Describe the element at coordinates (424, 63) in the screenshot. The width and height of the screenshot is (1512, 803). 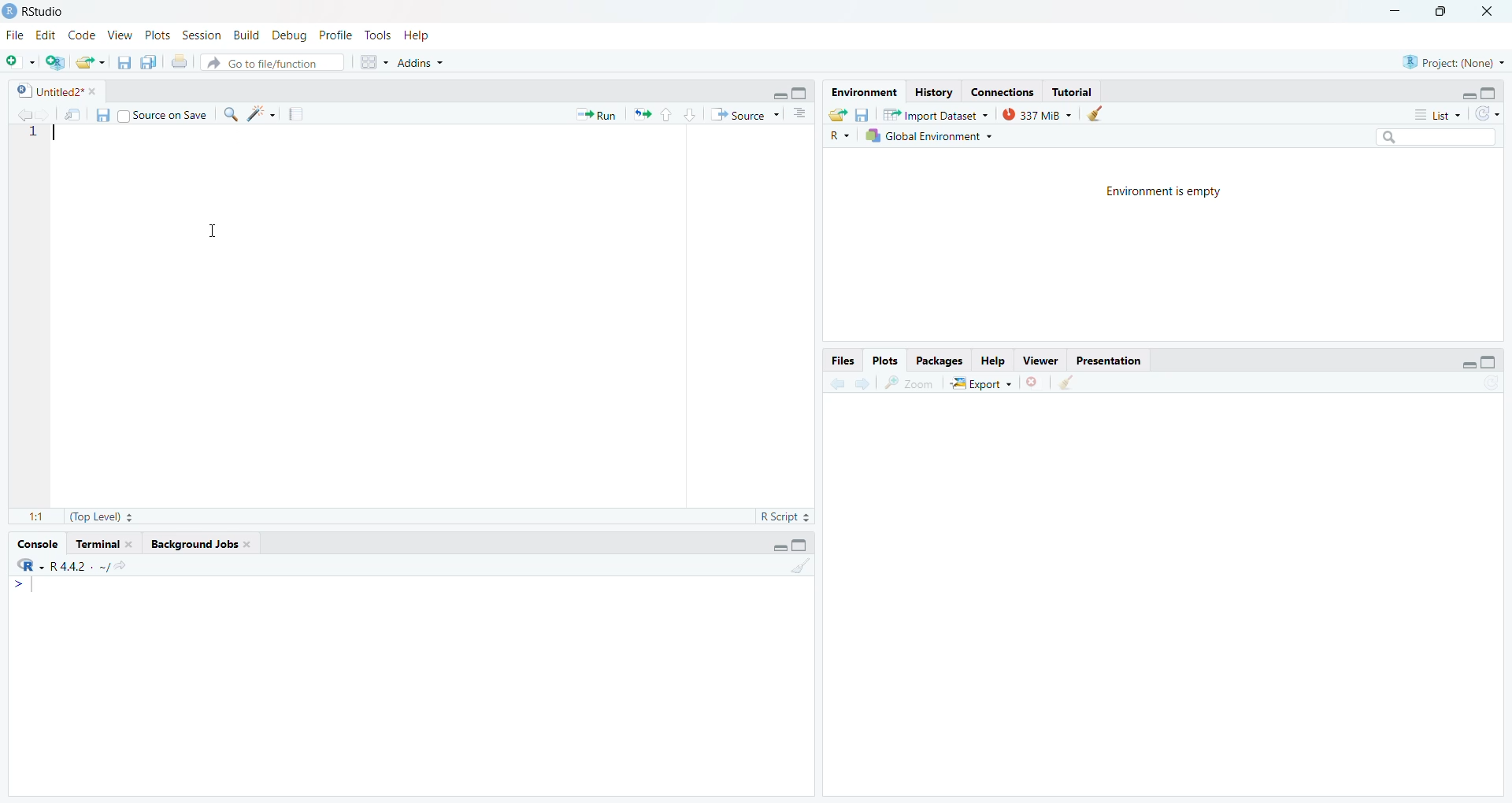
I see ` Addins ~` at that location.